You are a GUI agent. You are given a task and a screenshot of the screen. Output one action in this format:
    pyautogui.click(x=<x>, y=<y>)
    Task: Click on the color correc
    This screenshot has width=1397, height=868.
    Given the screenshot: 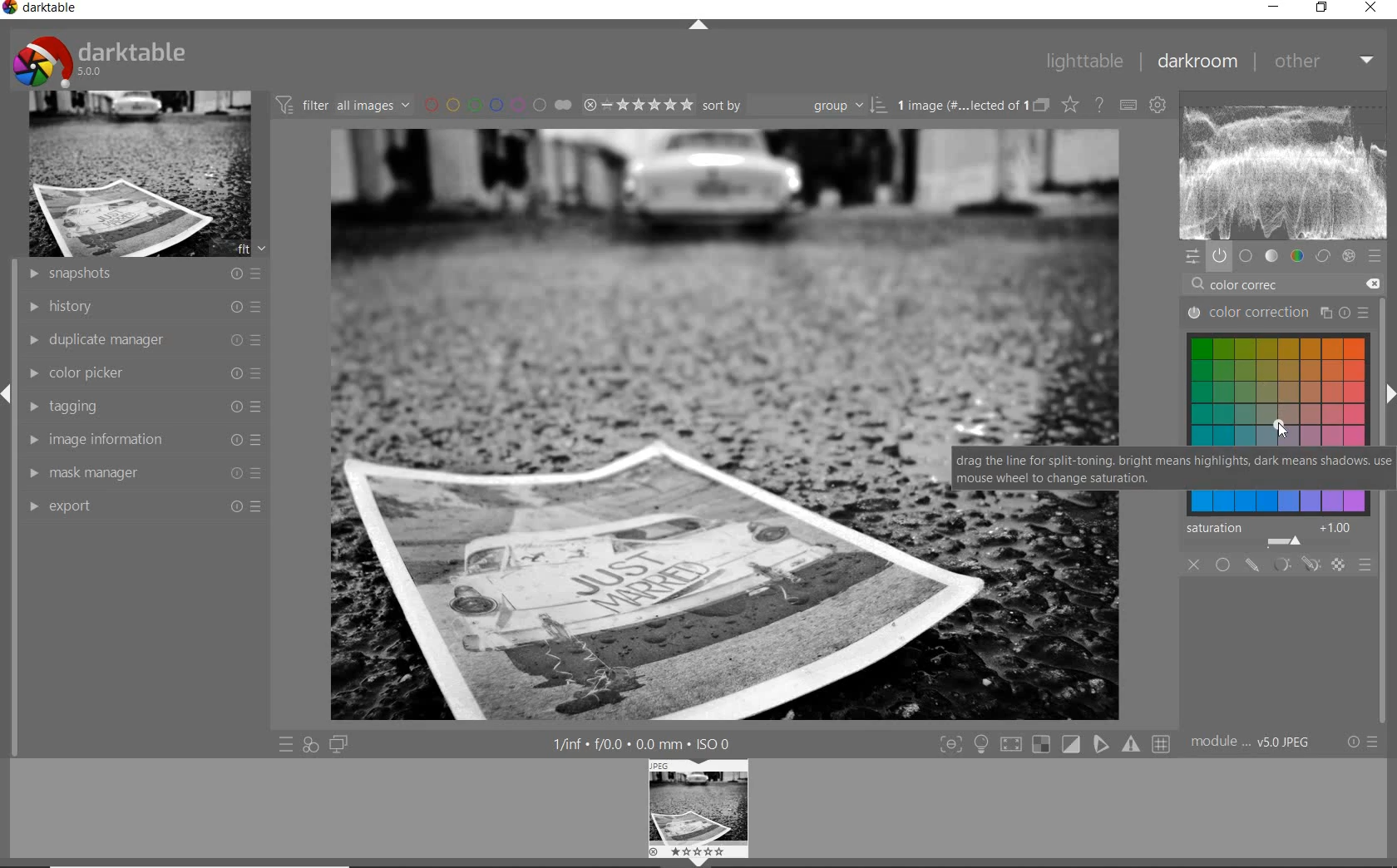 What is the action you would take?
    pyautogui.click(x=1256, y=286)
    